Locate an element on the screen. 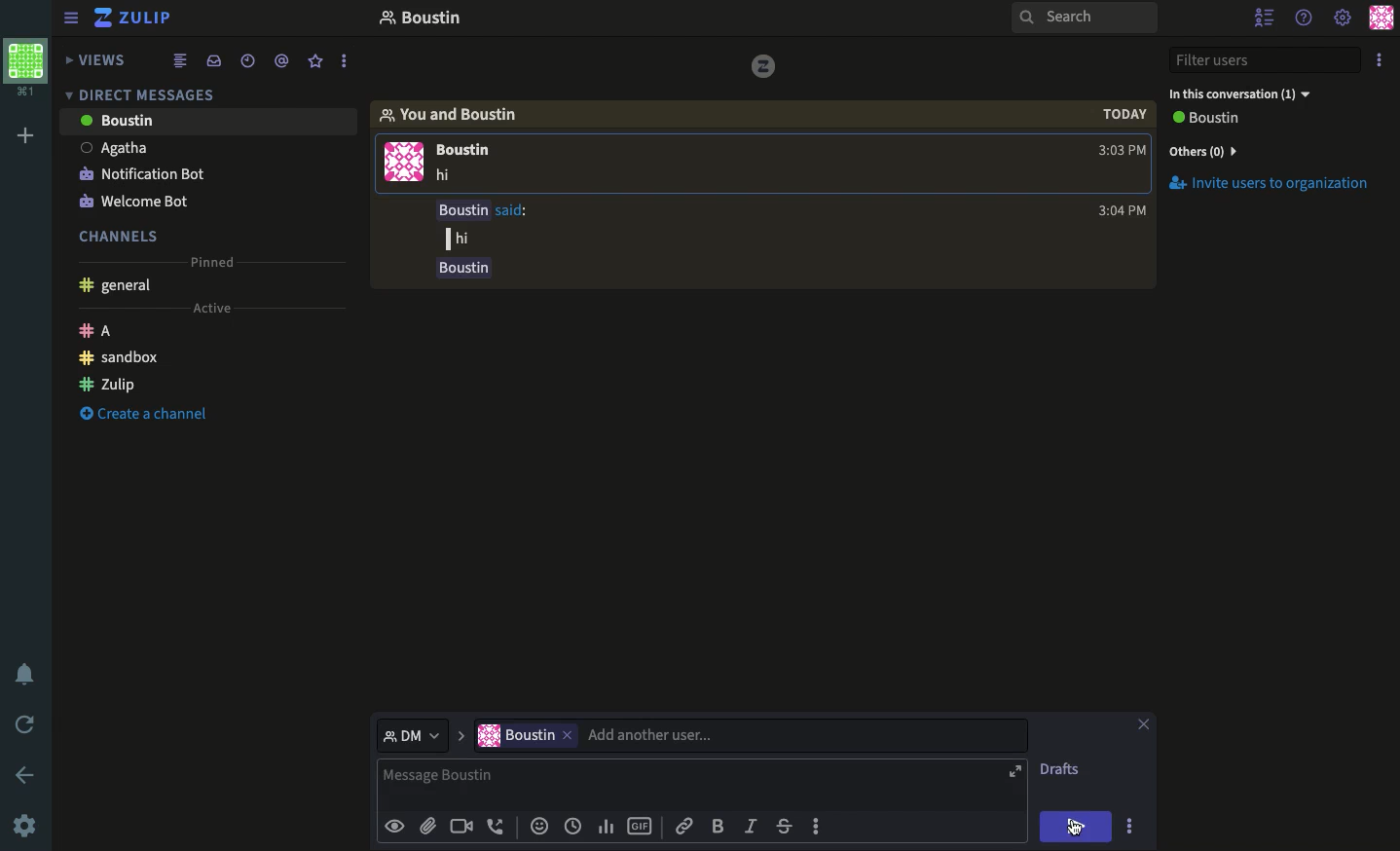 This screenshot has height=851, width=1400. User Input is located at coordinates (617, 737).